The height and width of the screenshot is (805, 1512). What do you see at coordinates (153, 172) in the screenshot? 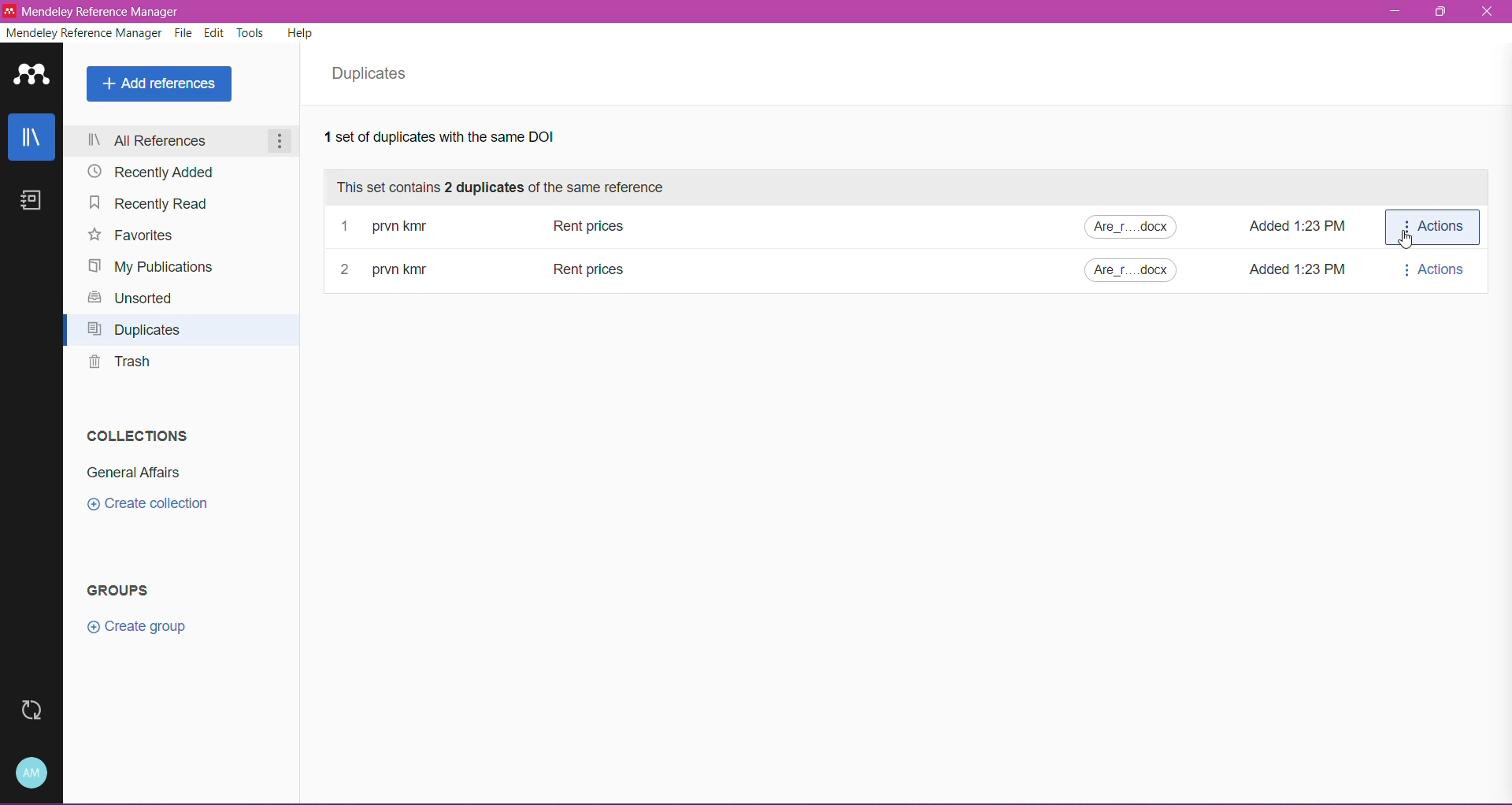
I see `Recently Added` at bounding box center [153, 172].